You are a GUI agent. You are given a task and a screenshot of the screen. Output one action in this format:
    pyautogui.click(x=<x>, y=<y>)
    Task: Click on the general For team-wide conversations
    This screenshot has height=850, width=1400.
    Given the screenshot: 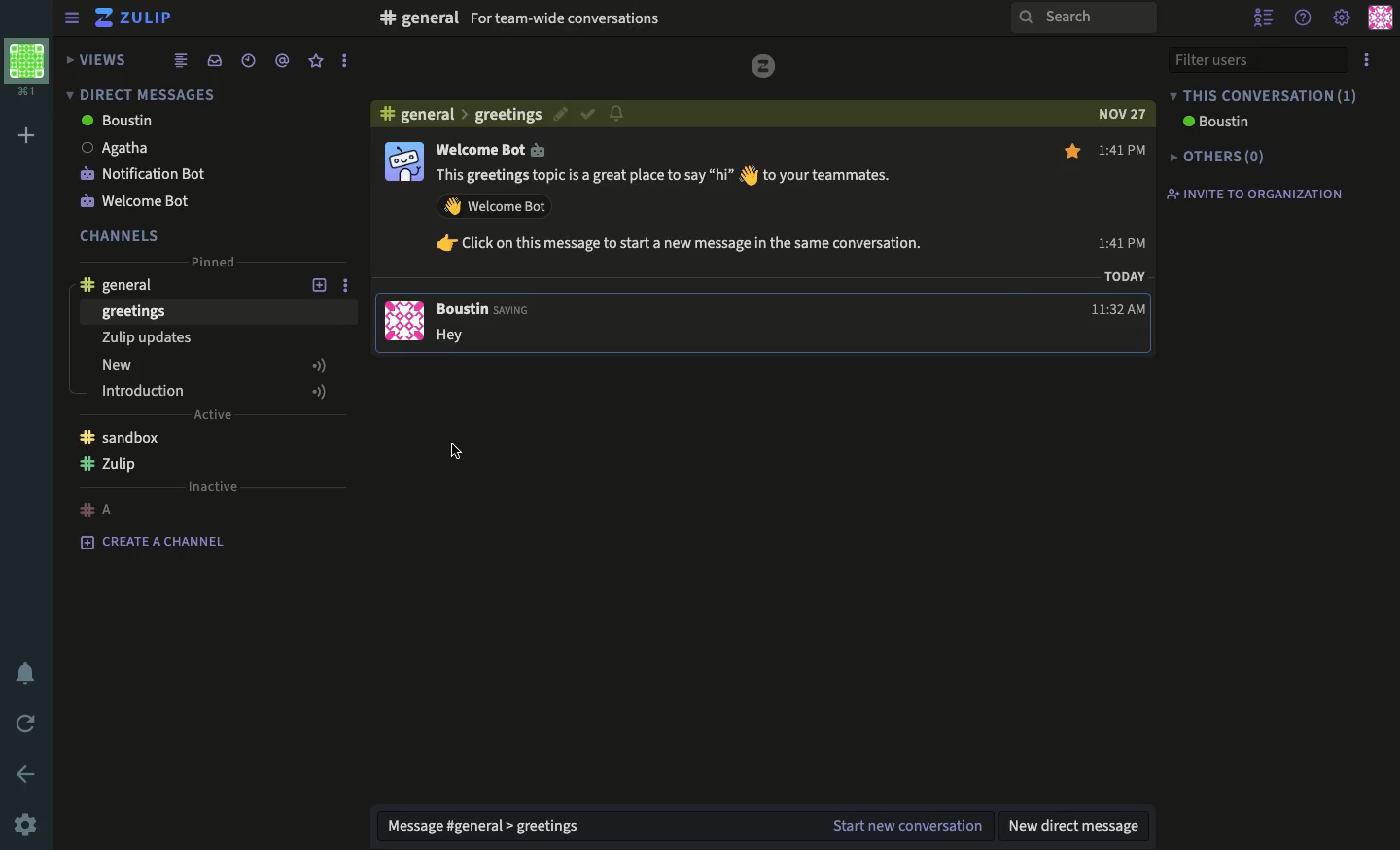 What is the action you would take?
    pyautogui.click(x=523, y=19)
    